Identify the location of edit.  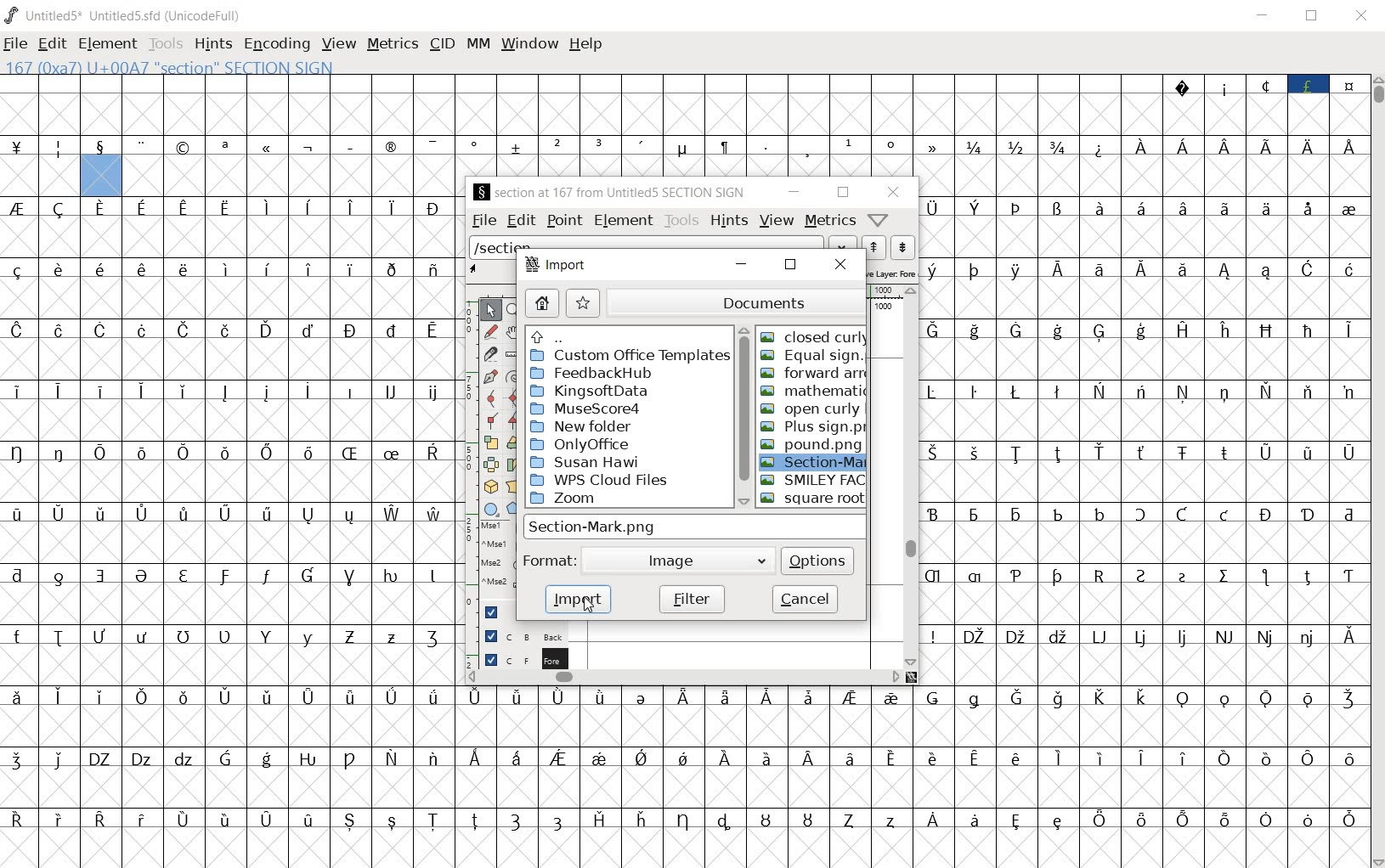
(520, 221).